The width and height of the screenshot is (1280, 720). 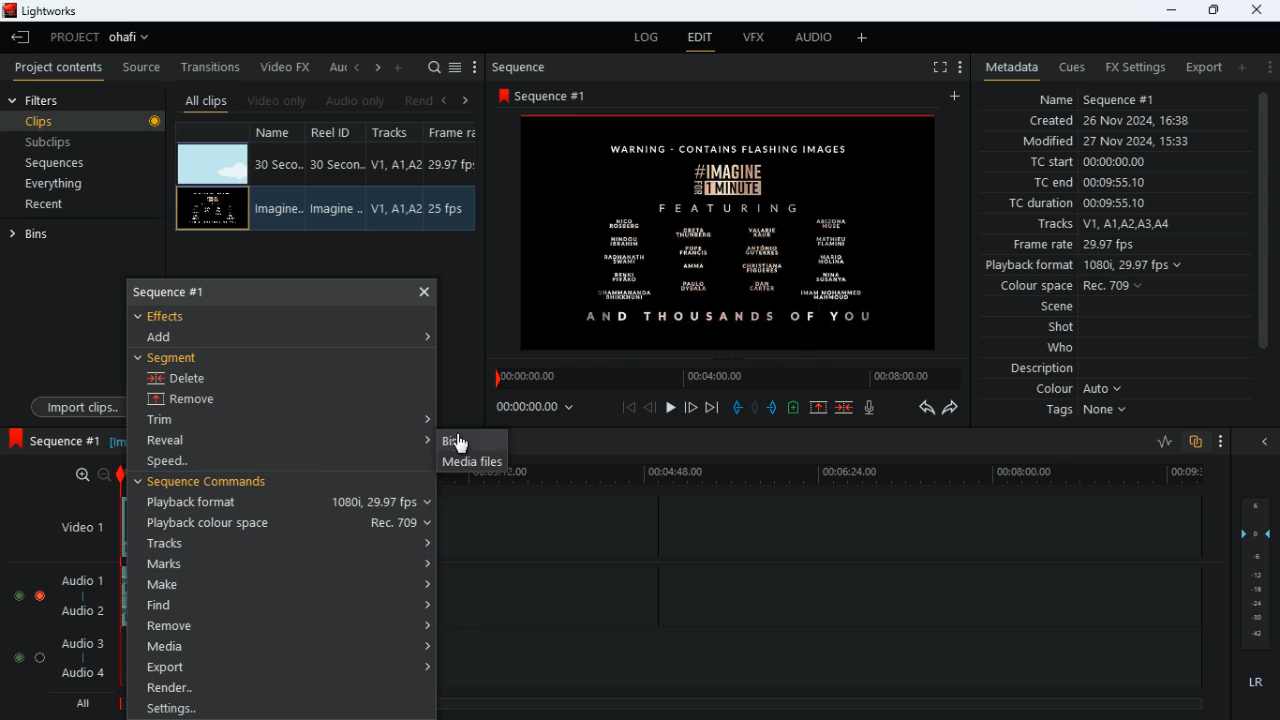 What do you see at coordinates (76, 183) in the screenshot?
I see `everything` at bounding box center [76, 183].